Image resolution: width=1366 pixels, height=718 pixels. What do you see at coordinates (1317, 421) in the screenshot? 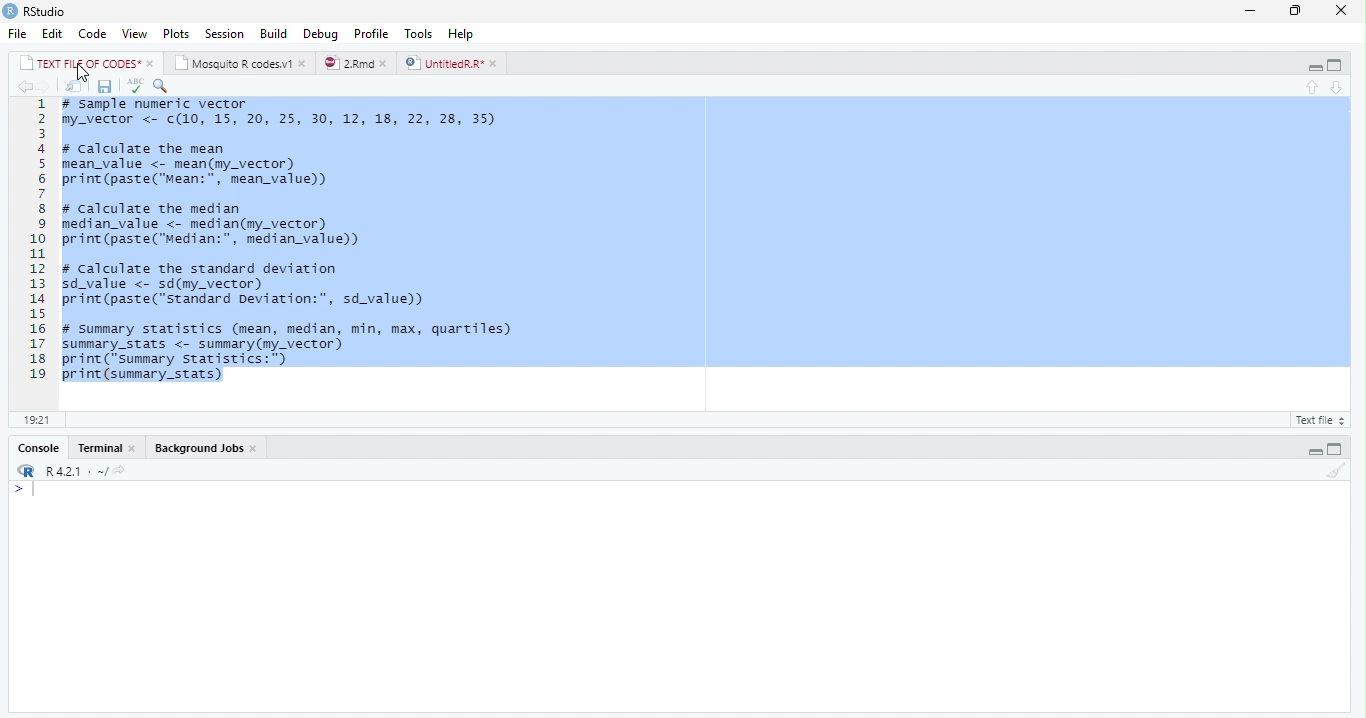
I see `R Script` at bounding box center [1317, 421].